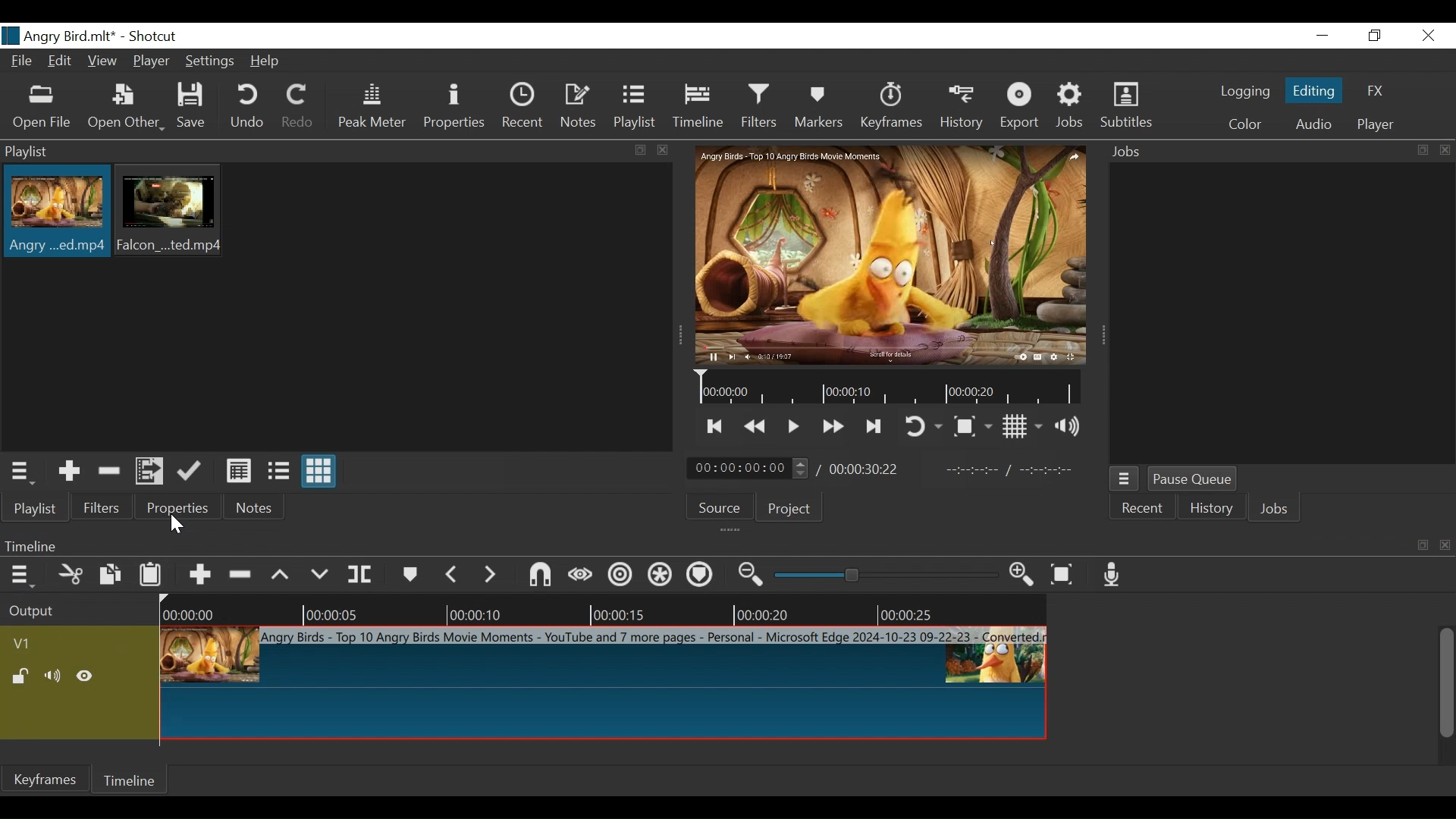 This screenshot has width=1456, height=819. I want to click on Zoom timeline in, so click(1025, 576).